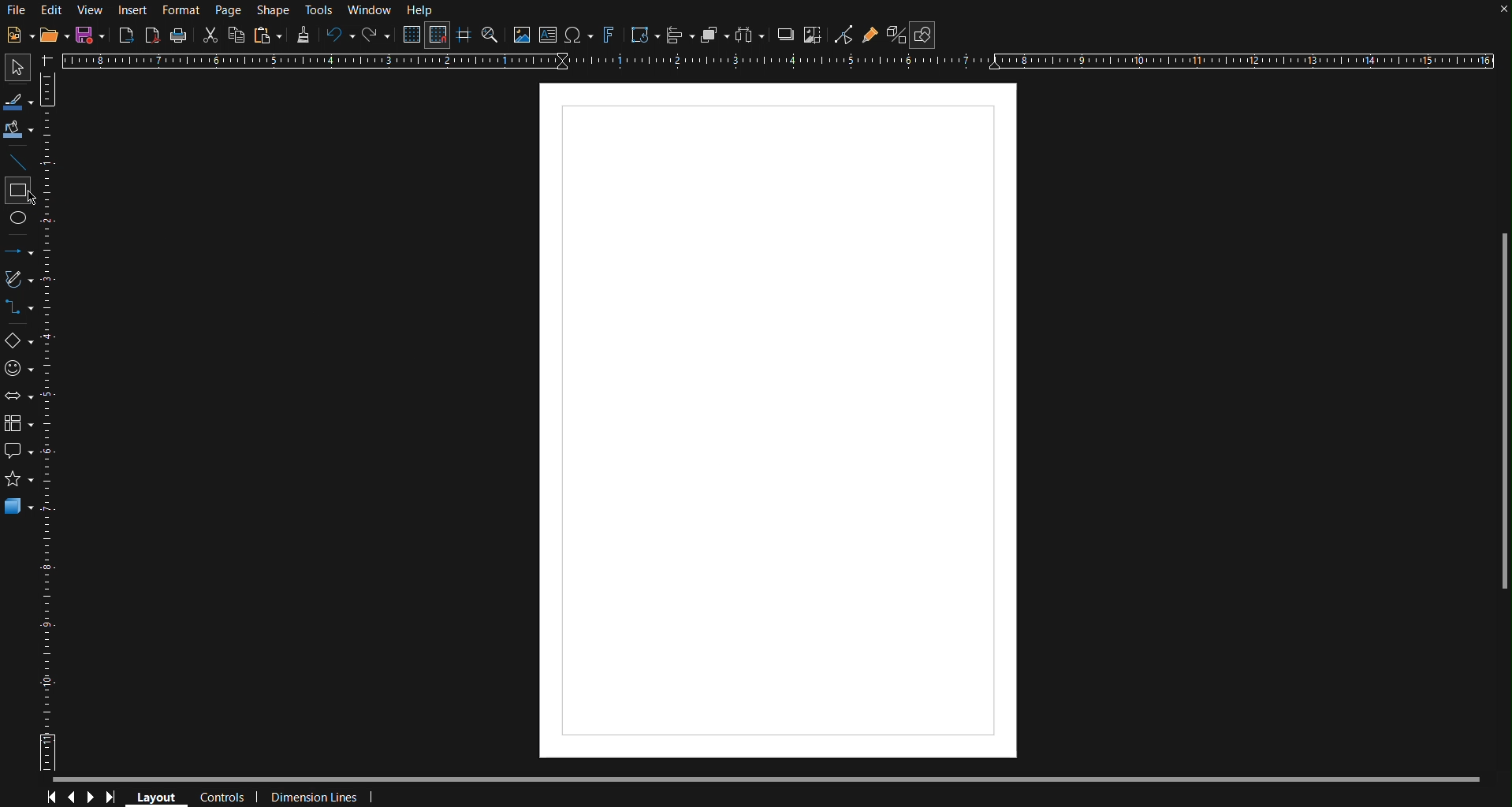 The width and height of the screenshot is (1512, 807). I want to click on Canvas, so click(780, 422).